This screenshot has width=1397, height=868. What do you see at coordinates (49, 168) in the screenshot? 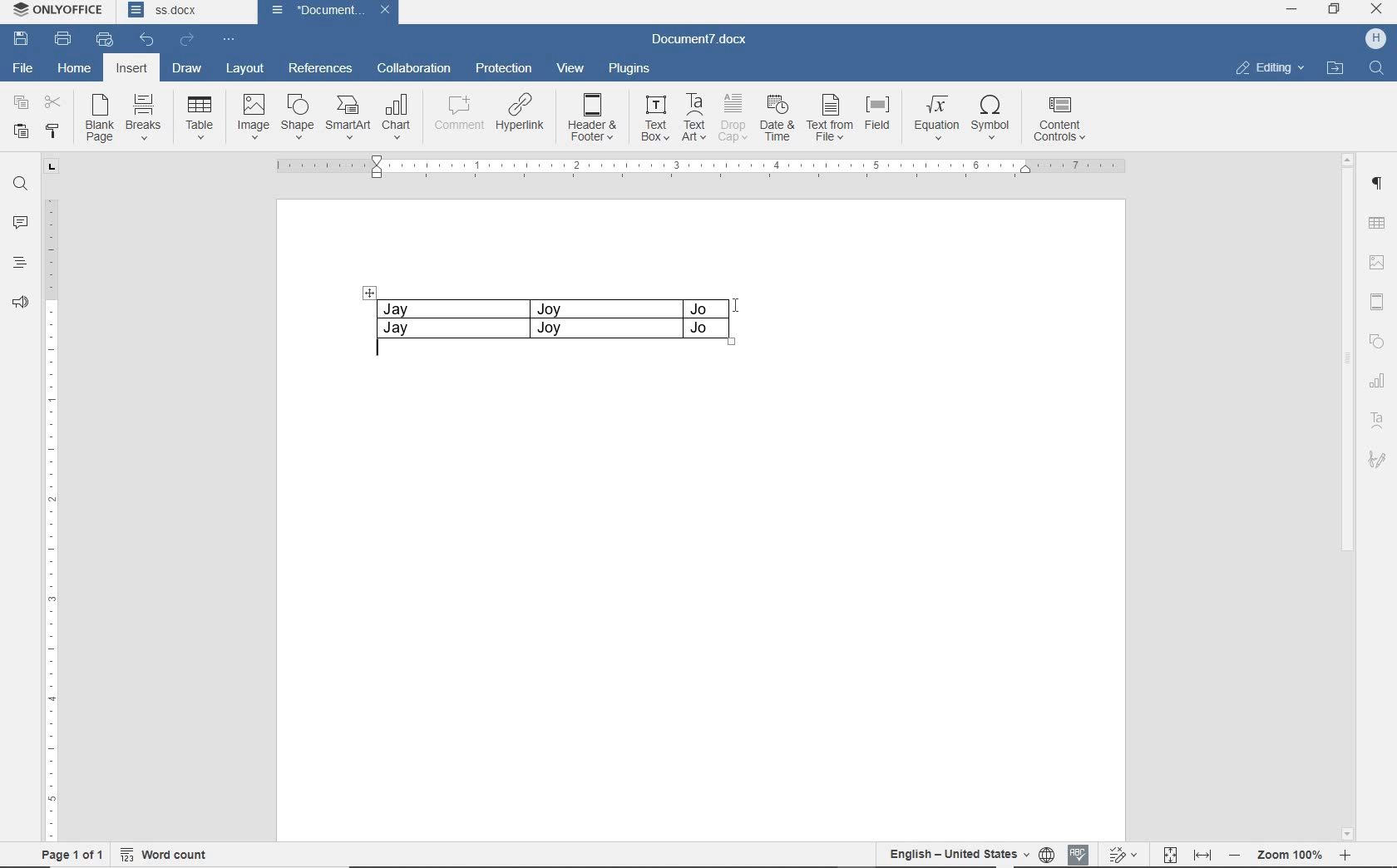
I see `TAB STOP` at bounding box center [49, 168].